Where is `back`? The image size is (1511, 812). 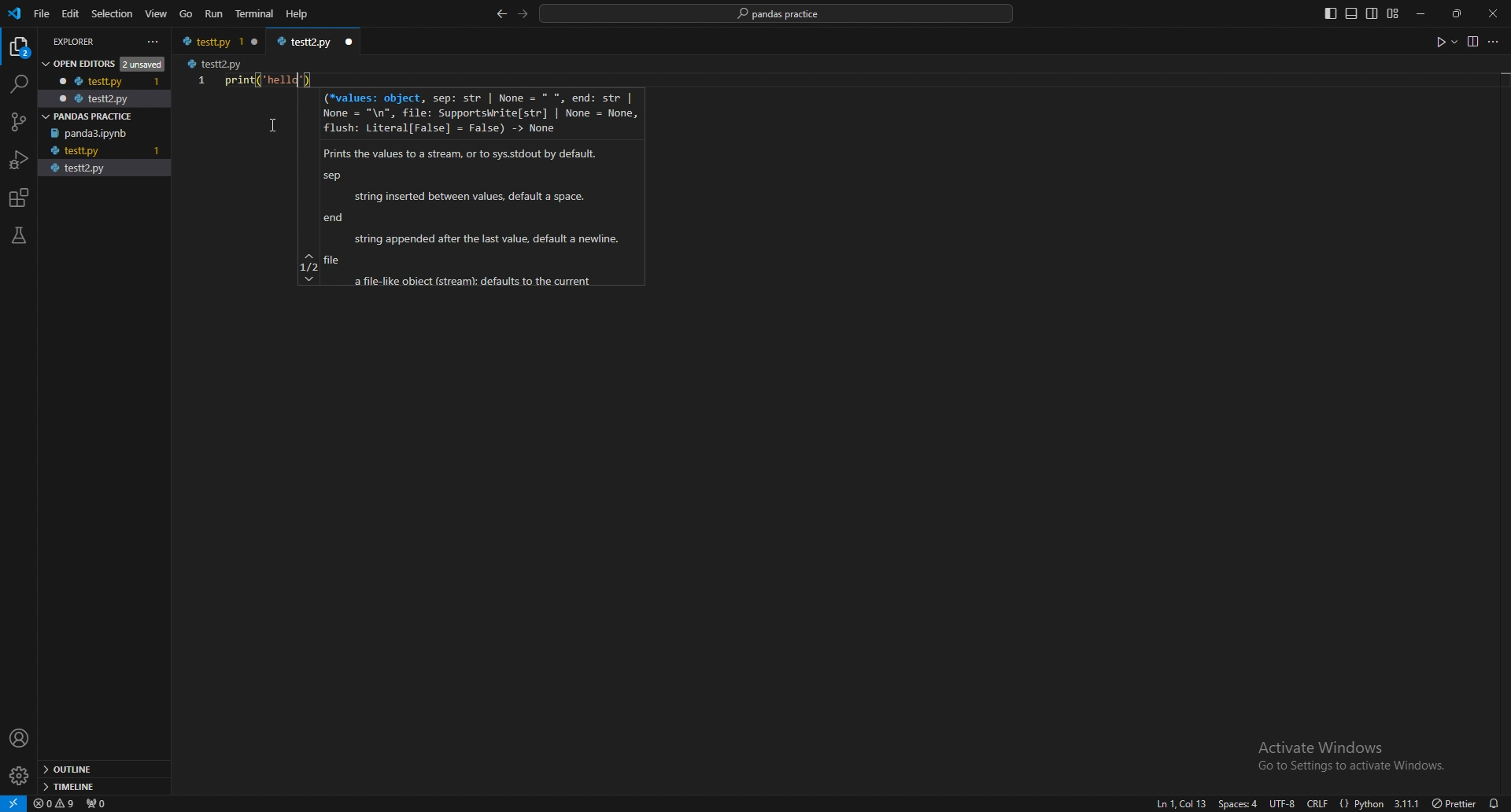
back is located at coordinates (501, 15).